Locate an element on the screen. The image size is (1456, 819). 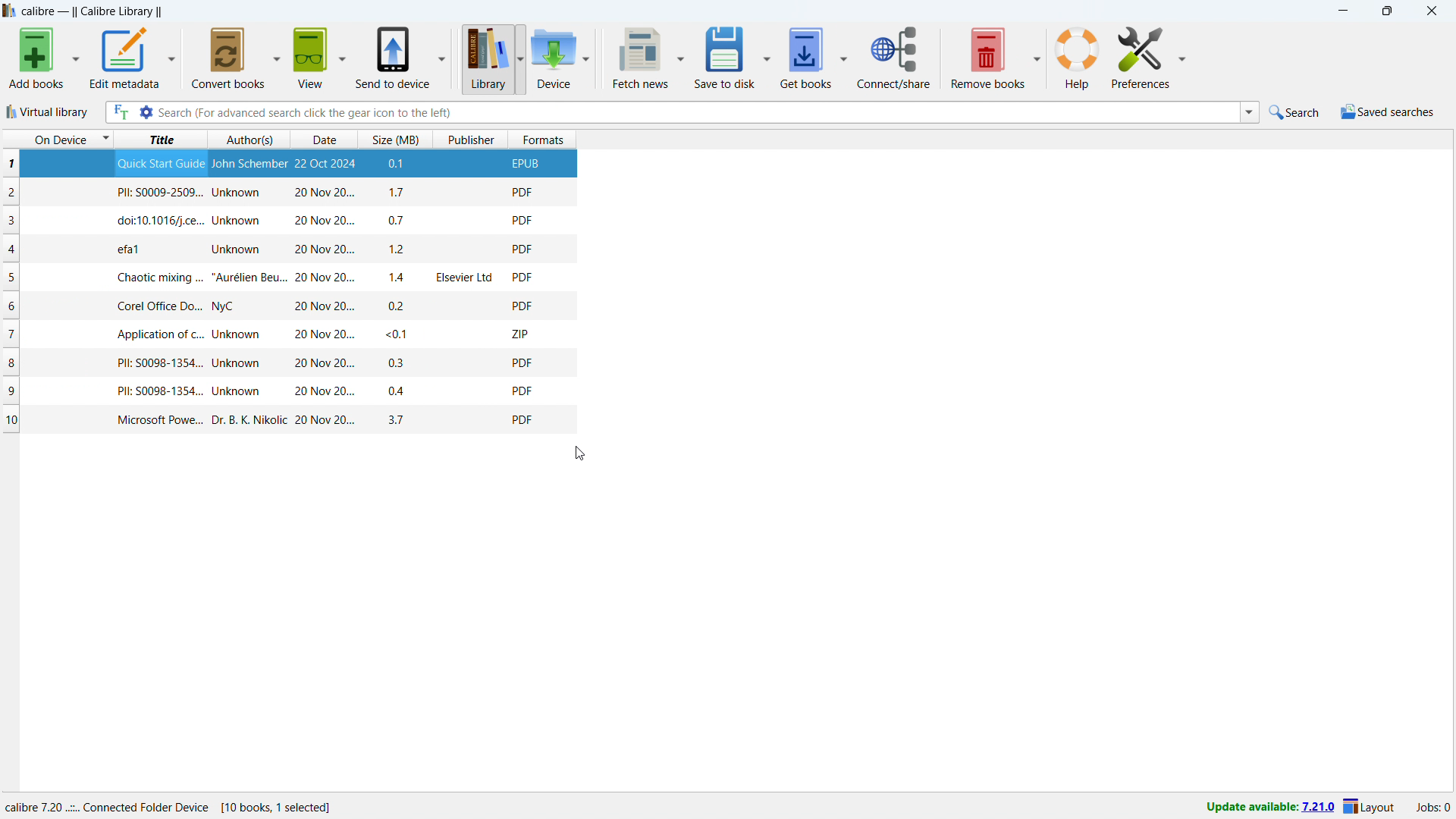
one book entry is located at coordinates (286, 278).